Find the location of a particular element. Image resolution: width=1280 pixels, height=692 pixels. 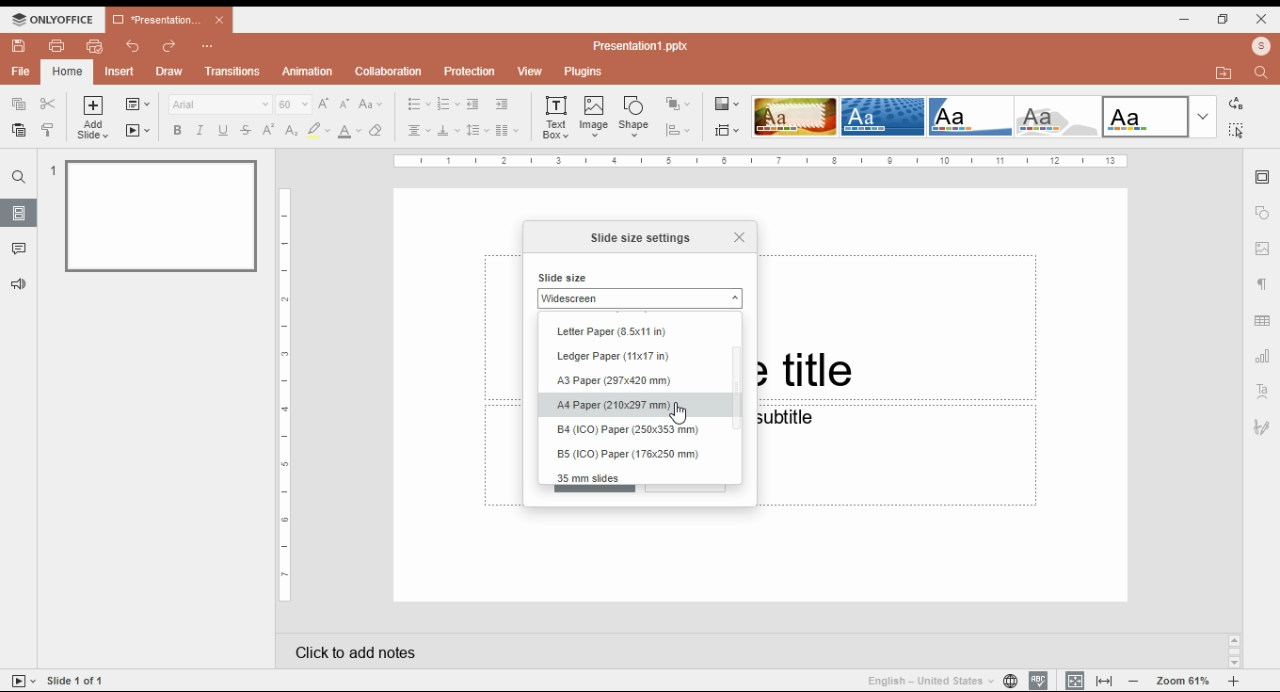

Page Scale is located at coordinates (286, 396).